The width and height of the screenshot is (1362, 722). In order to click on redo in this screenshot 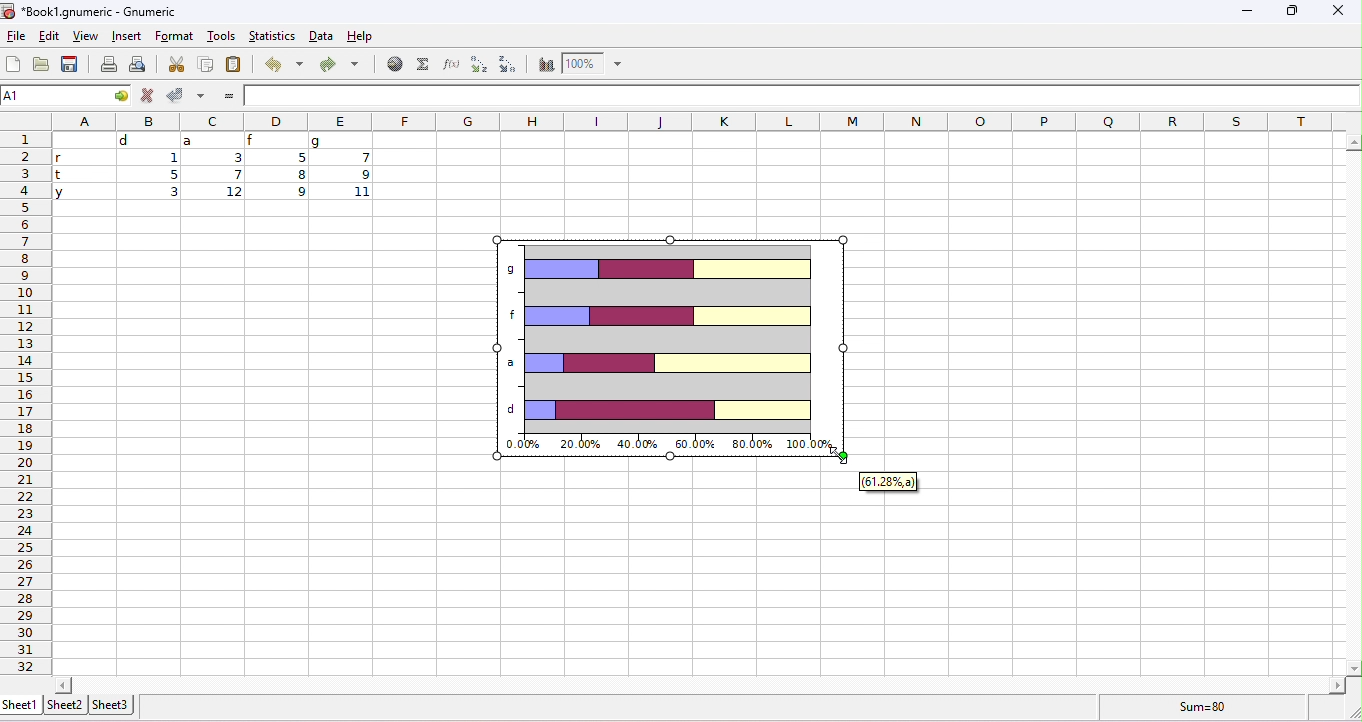, I will do `click(339, 63)`.